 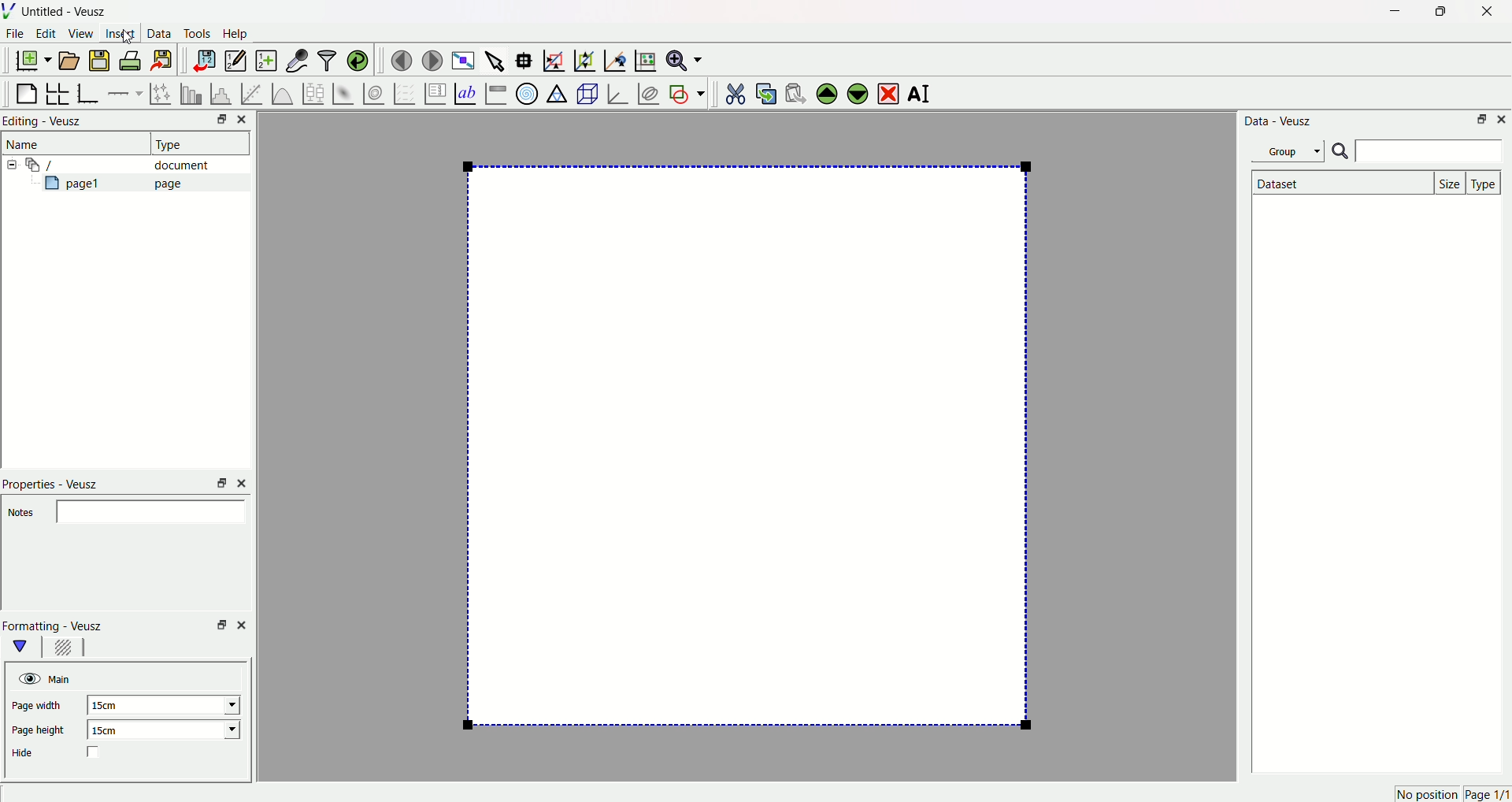 What do you see at coordinates (612, 57) in the screenshot?
I see `recenter the graph axes` at bounding box center [612, 57].